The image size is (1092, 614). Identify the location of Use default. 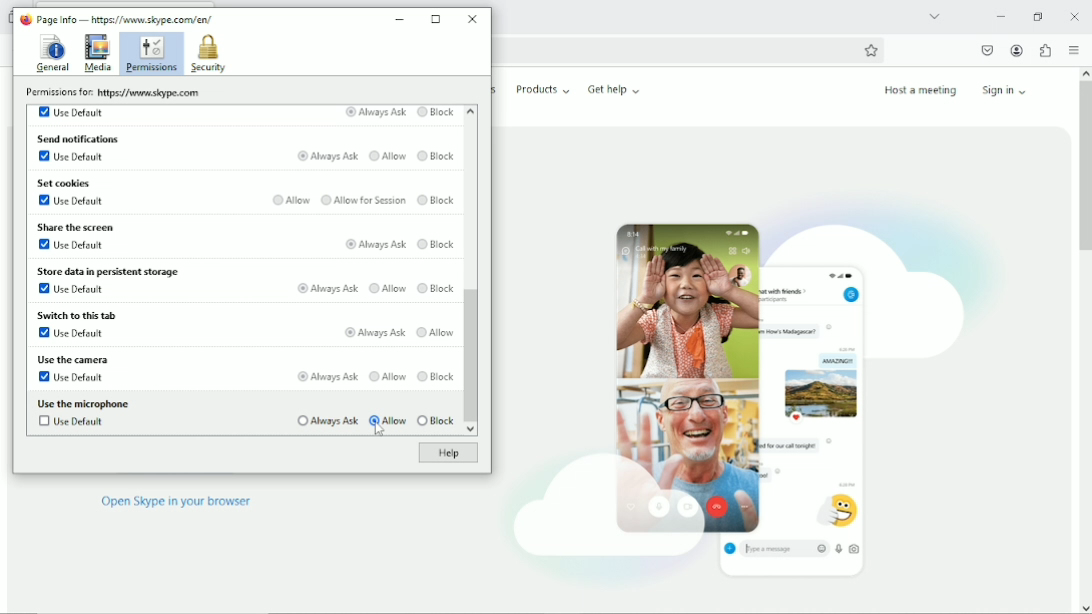
(70, 244).